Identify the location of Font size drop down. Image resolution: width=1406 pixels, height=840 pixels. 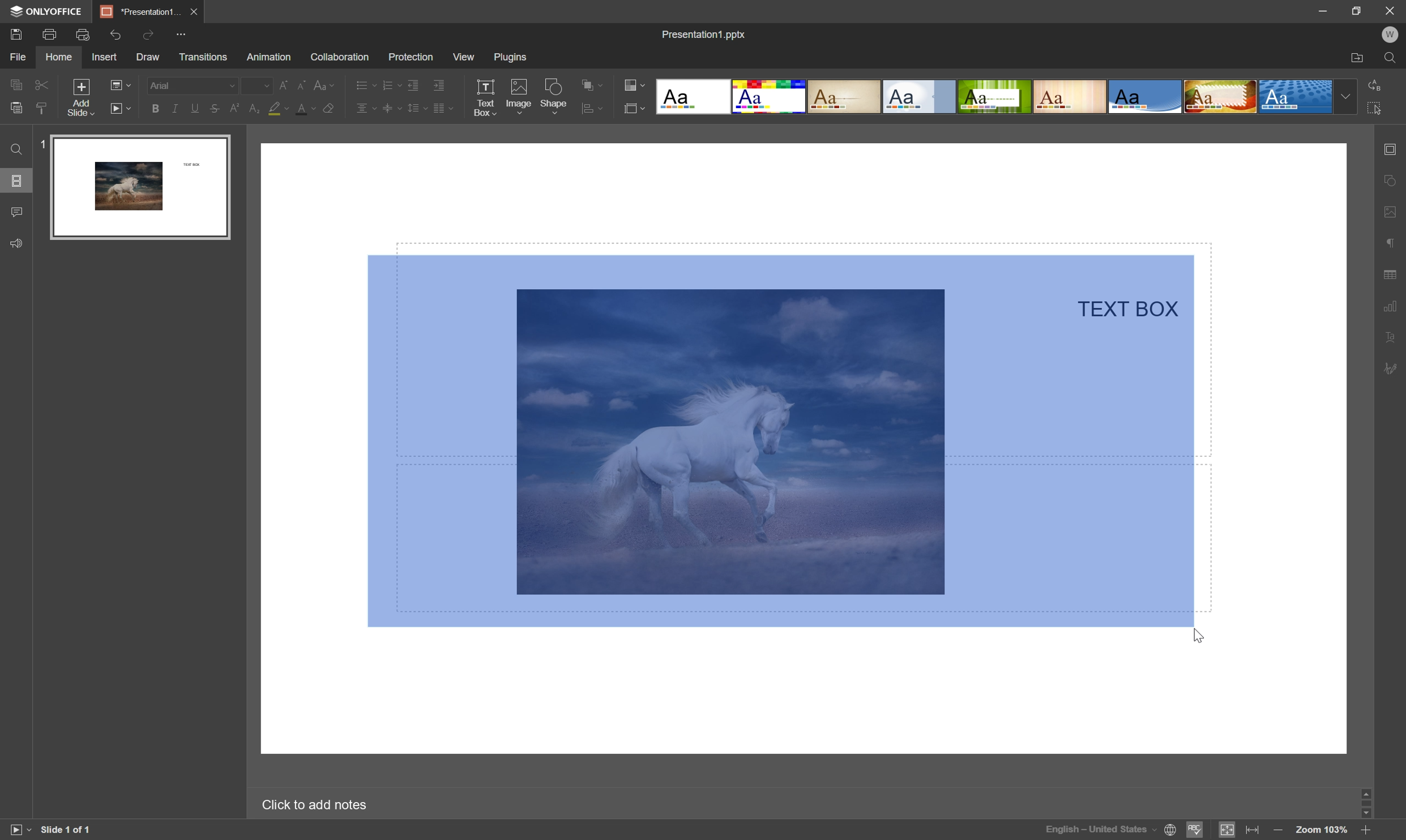
(256, 84).